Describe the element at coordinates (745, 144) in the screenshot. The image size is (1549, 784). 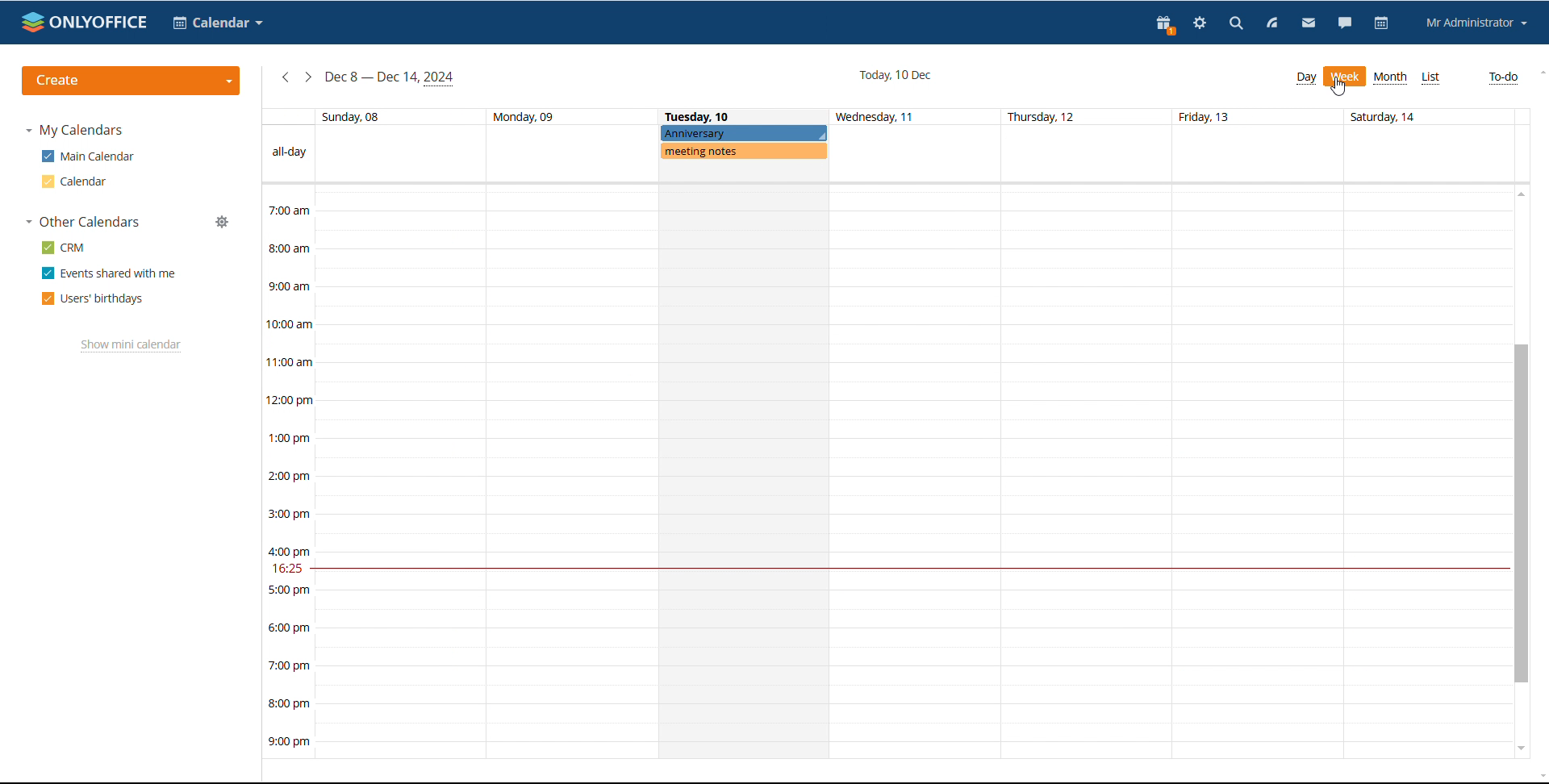
I see `scheduled all day events` at that location.